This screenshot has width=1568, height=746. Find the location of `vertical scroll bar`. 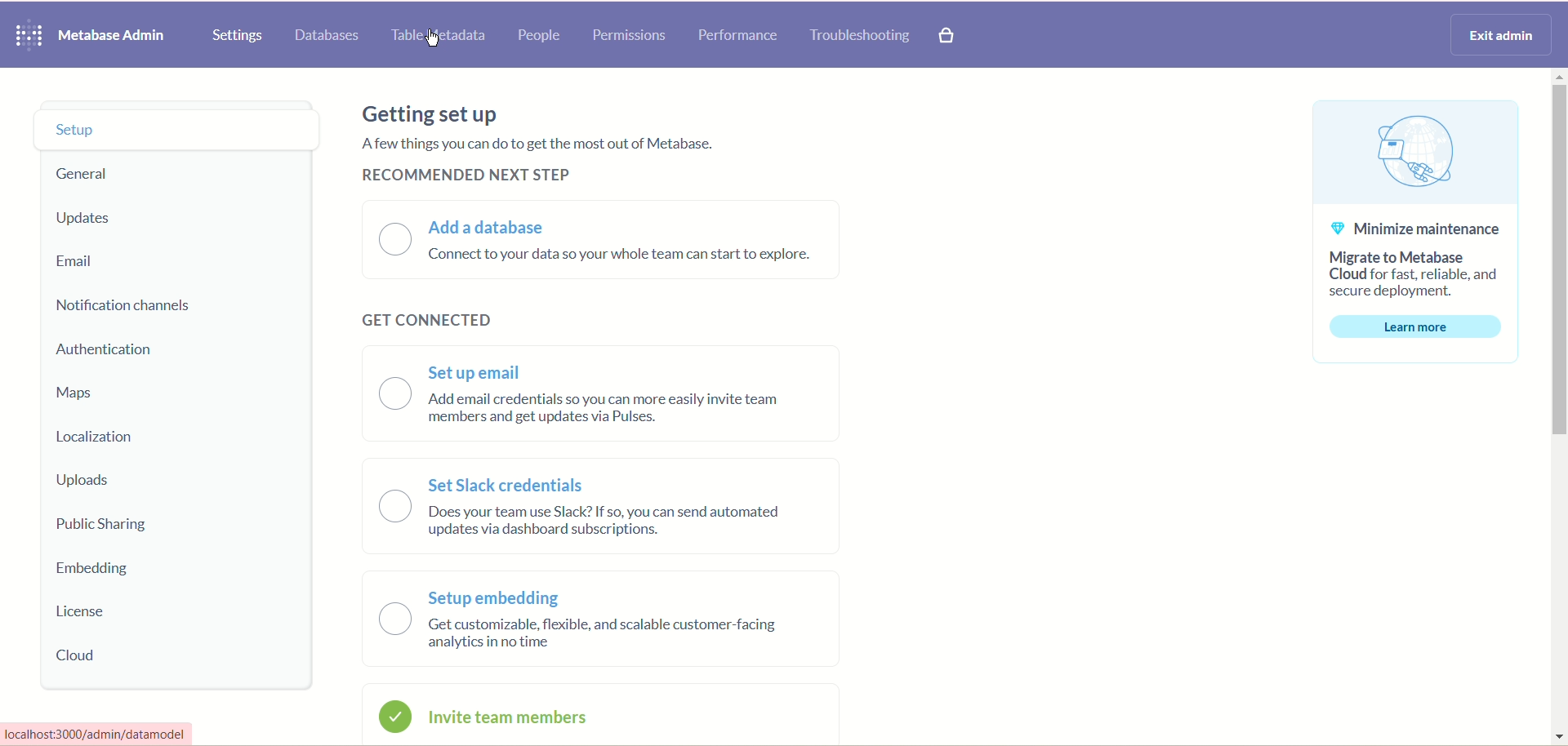

vertical scroll bar is located at coordinates (1555, 408).